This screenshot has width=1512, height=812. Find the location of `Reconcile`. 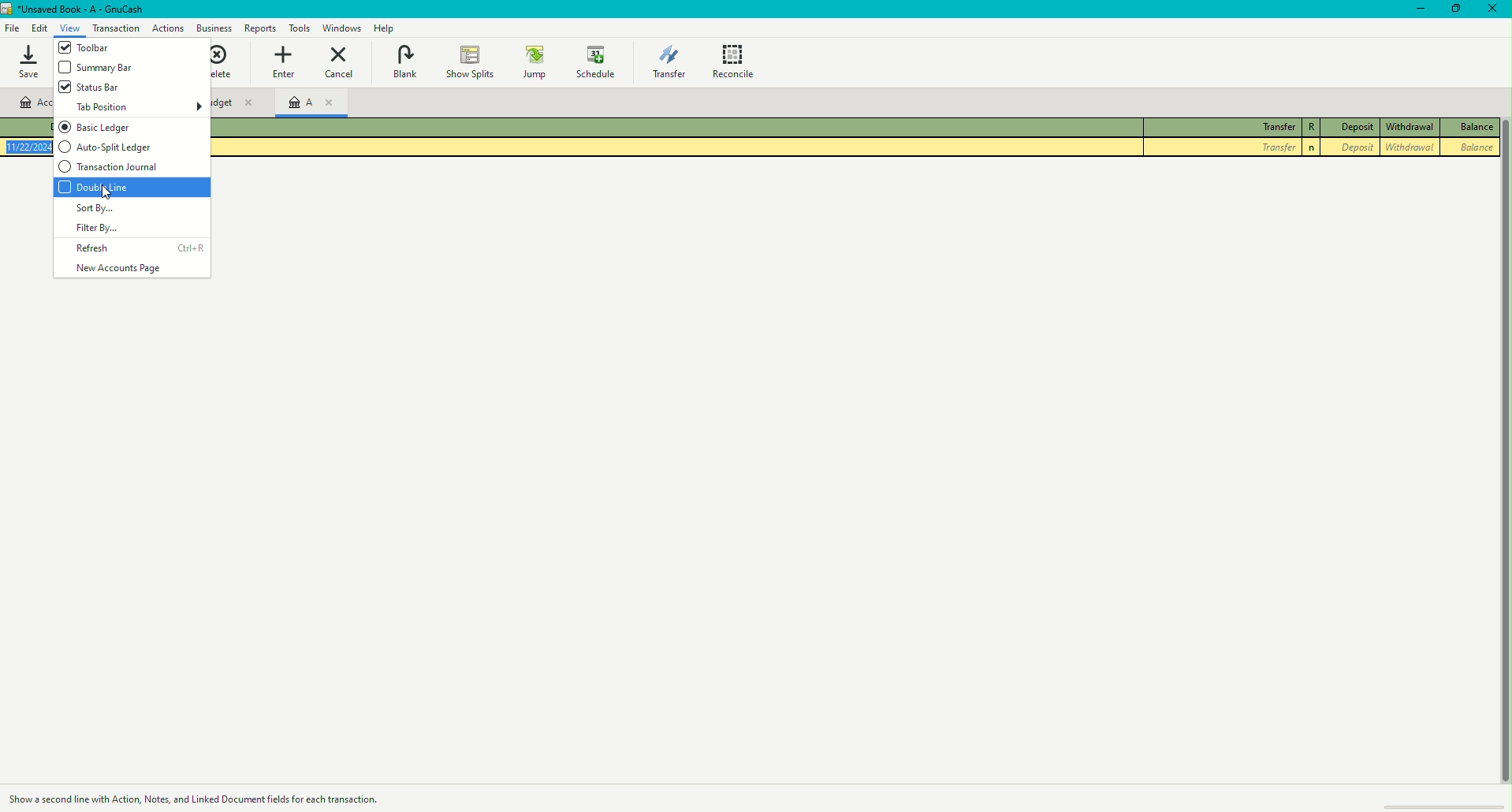

Reconcile is located at coordinates (736, 60).